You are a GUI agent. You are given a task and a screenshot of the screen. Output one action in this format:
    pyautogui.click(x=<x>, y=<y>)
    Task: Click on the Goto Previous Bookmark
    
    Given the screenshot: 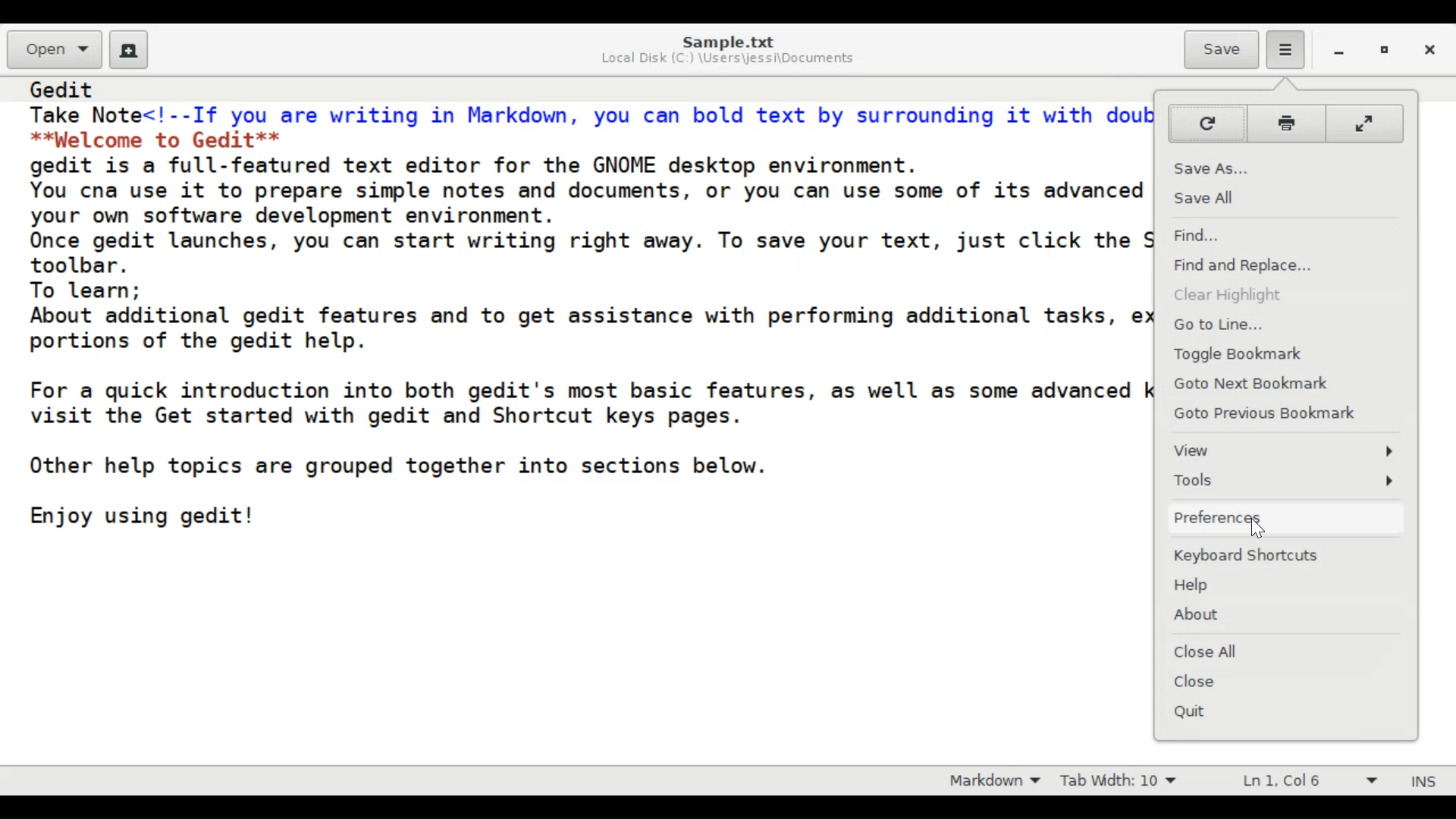 What is the action you would take?
    pyautogui.click(x=1267, y=413)
    